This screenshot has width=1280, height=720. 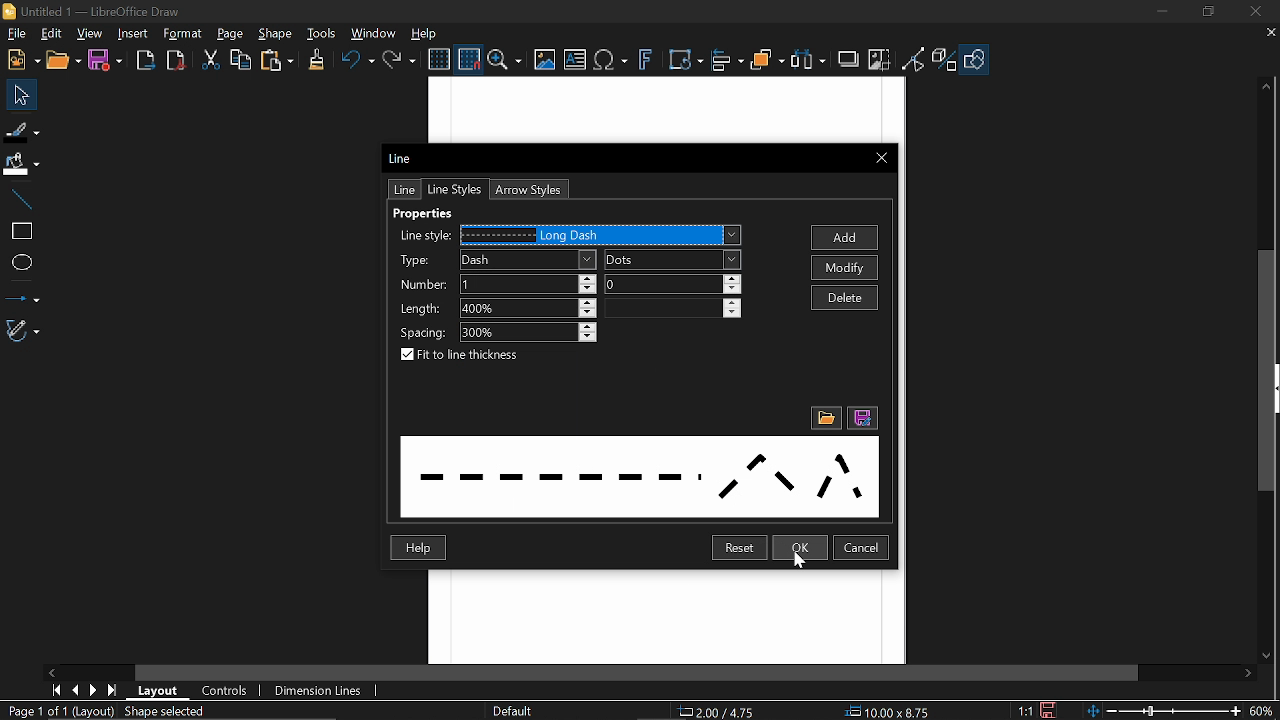 I want to click on cursor, so click(x=806, y=563).